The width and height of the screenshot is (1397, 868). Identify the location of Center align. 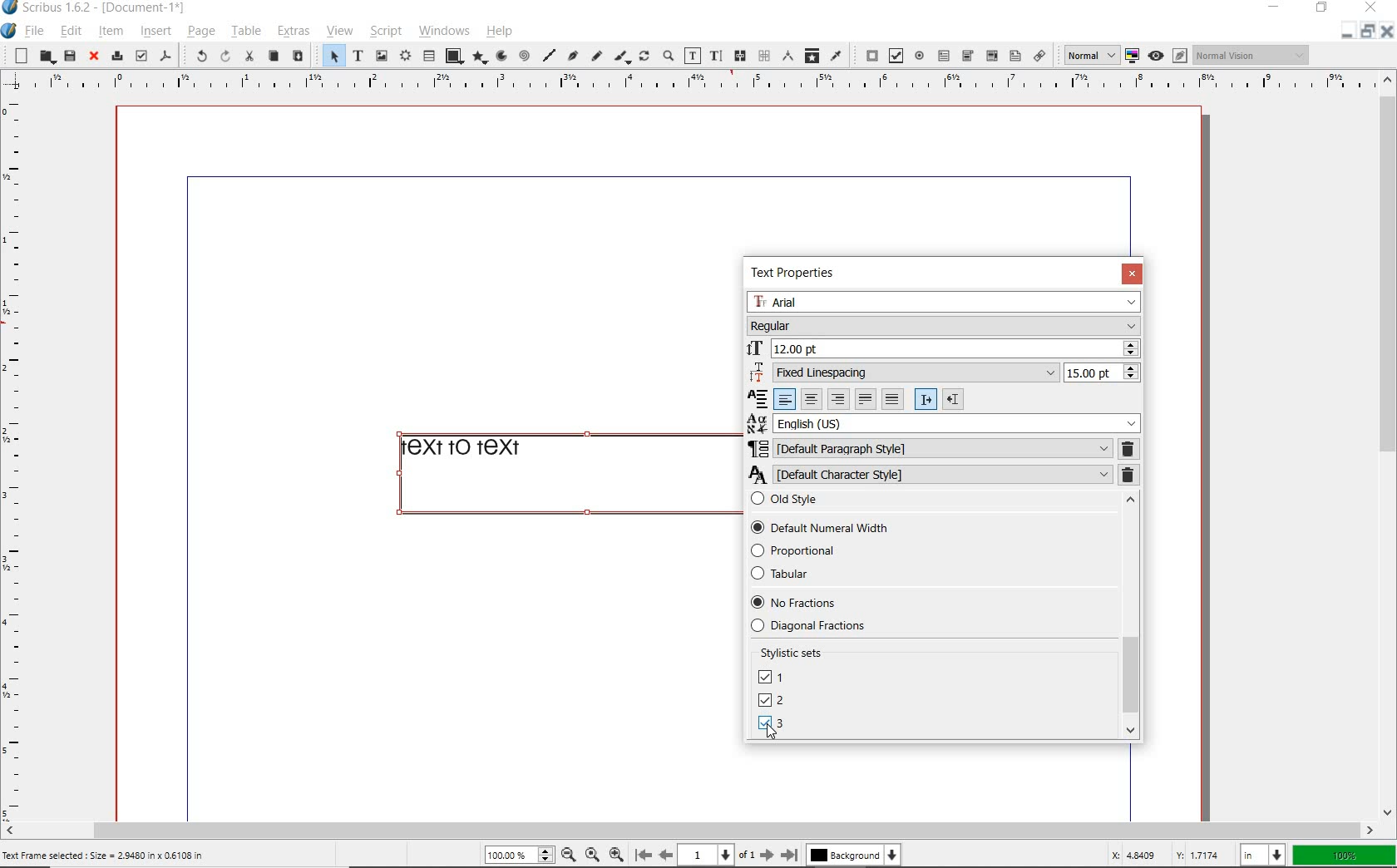
(811, 399).